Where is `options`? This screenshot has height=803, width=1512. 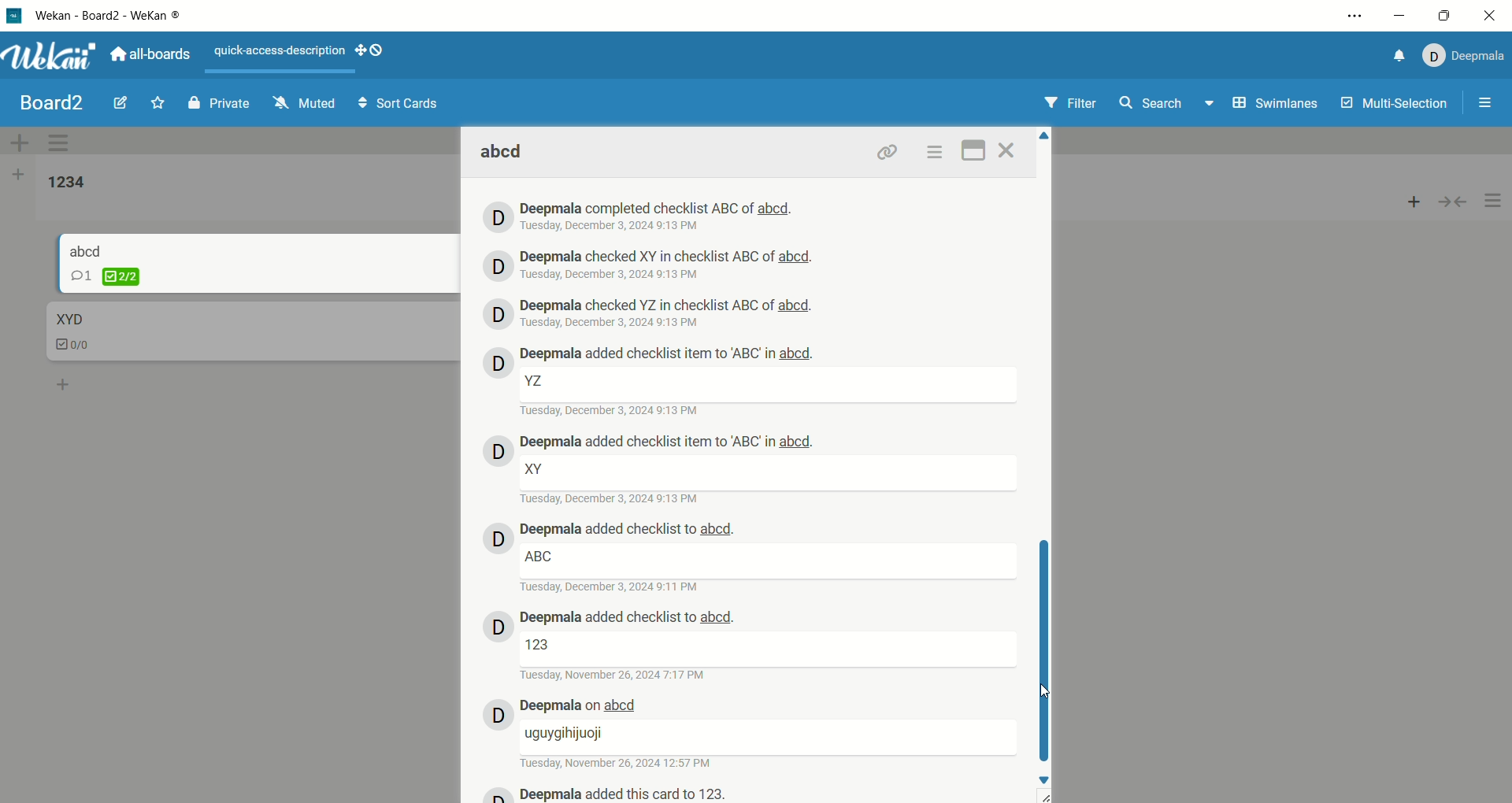 options is located at coordinates (934, 152).